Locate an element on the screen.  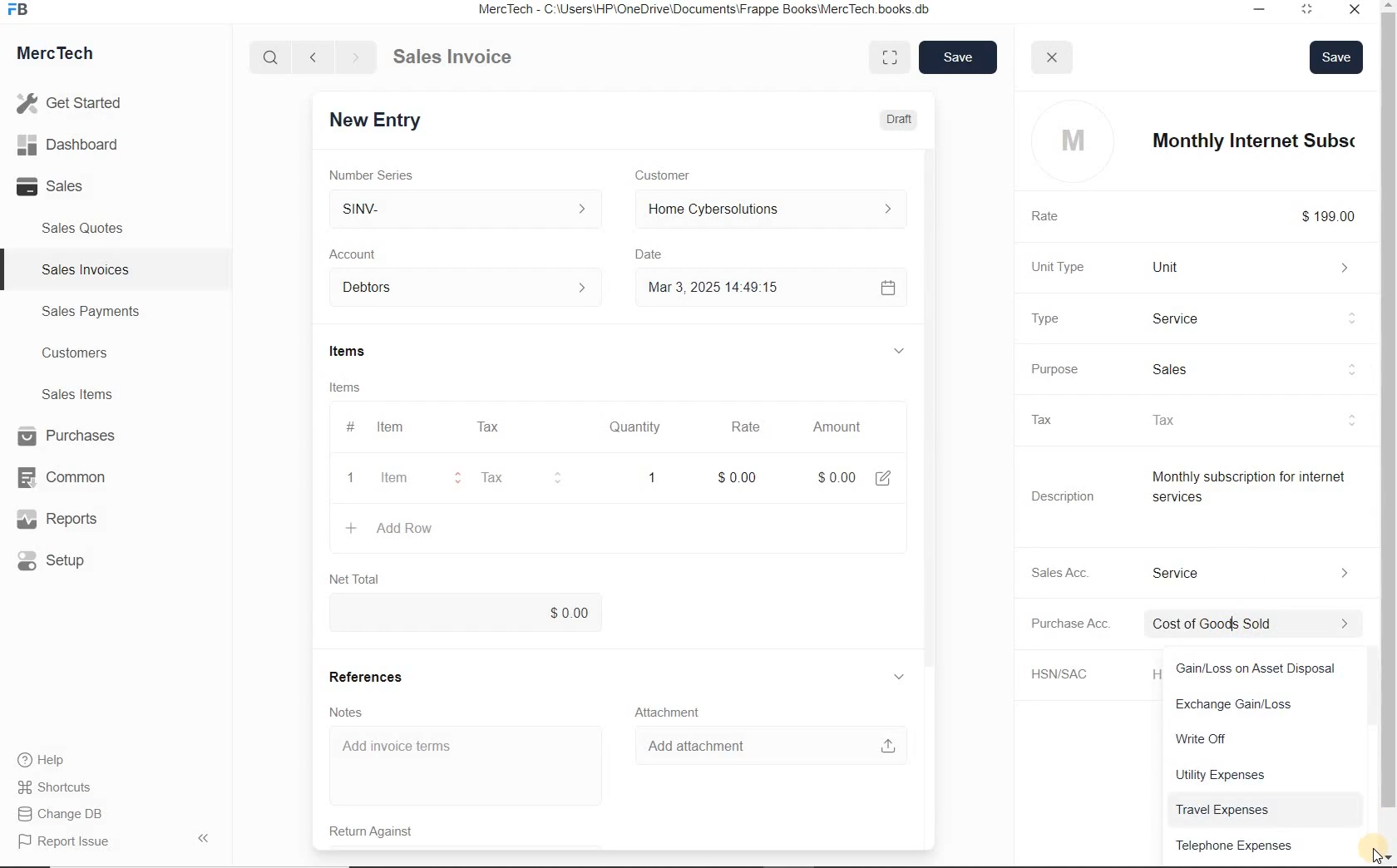
HSN/SAC is located at coordinates (1078, 674).